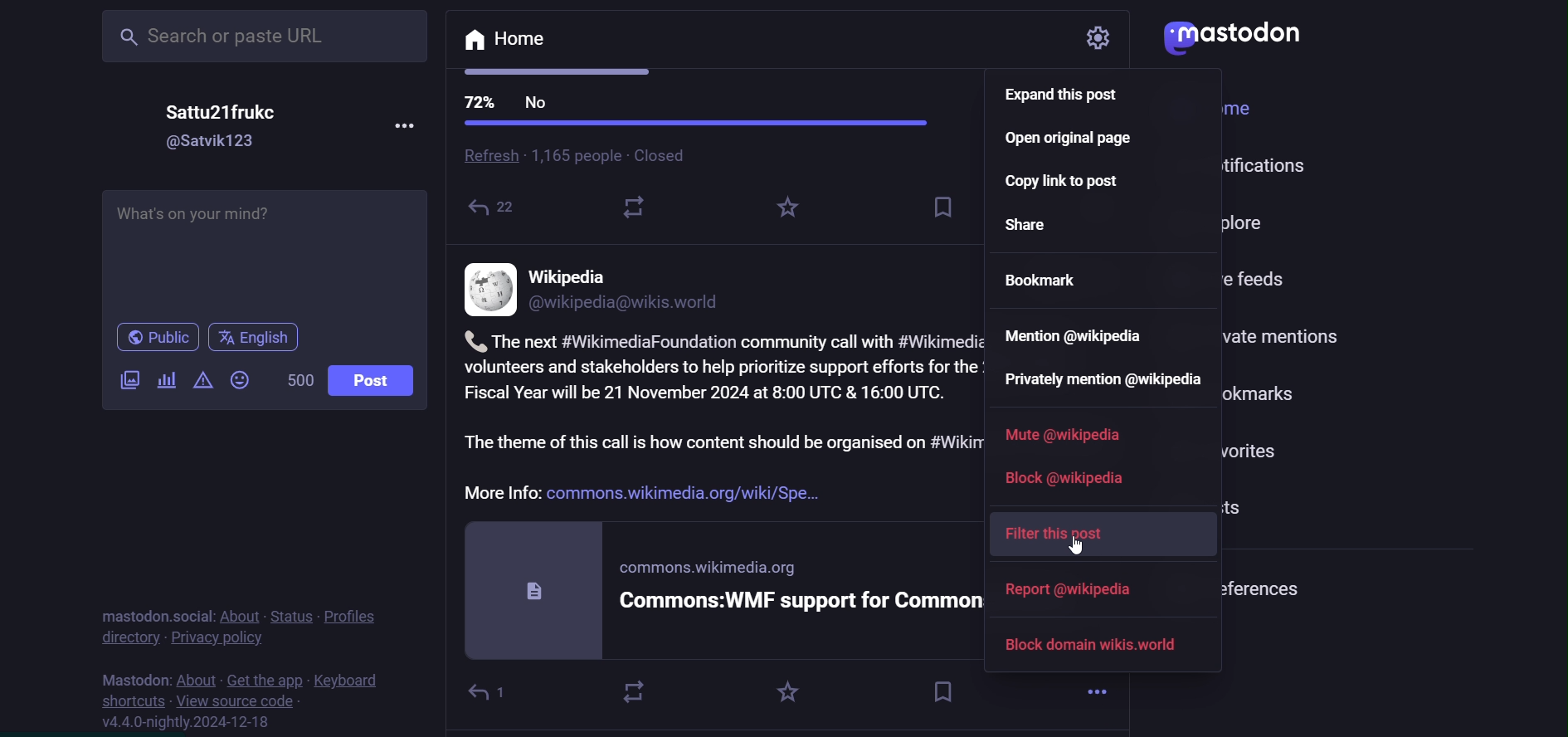  Describe the element at coordinates (490, 290) in the screenshot. I see `profile picture` at that location.